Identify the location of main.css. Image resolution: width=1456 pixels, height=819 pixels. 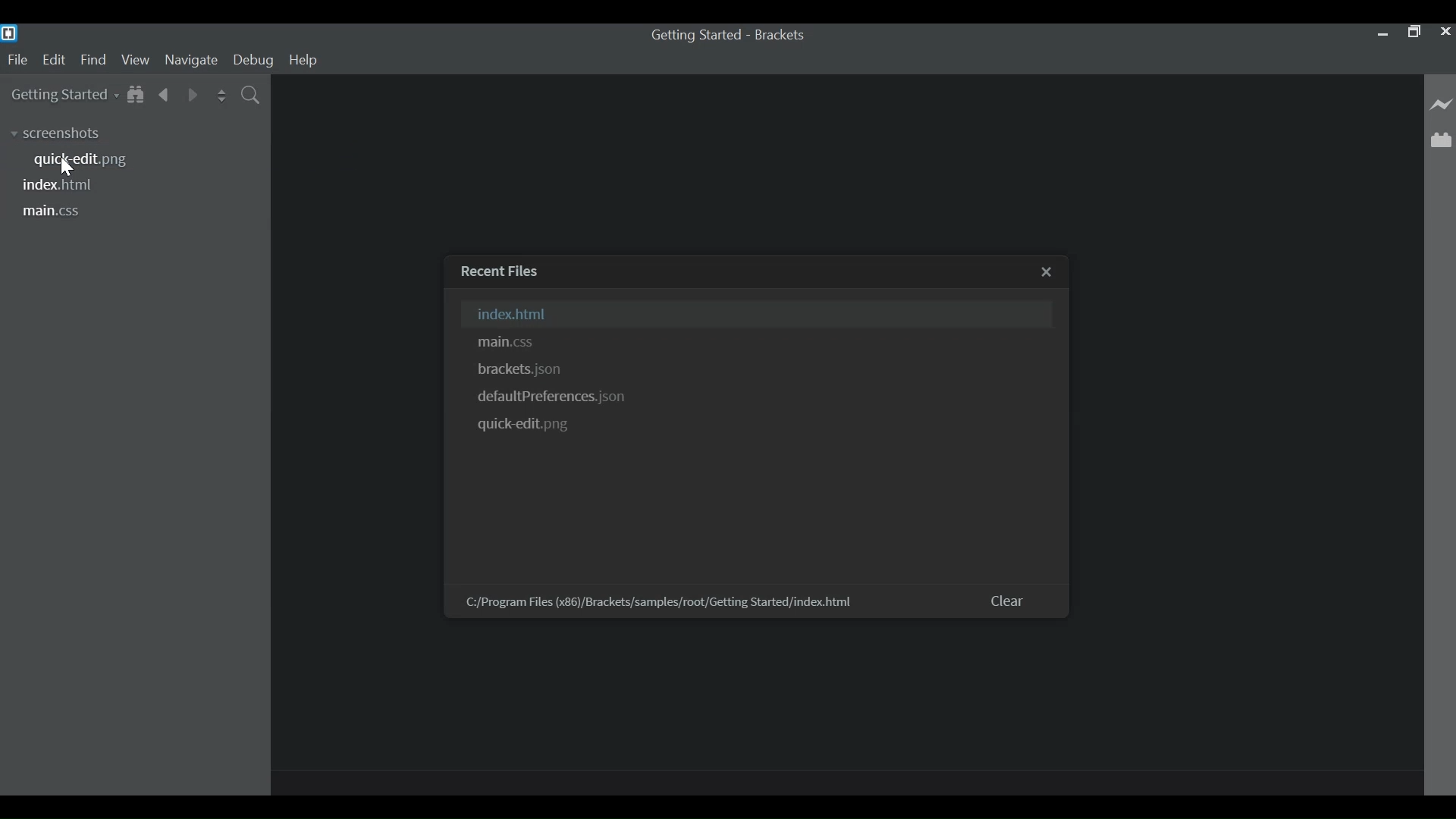
(507, 342).